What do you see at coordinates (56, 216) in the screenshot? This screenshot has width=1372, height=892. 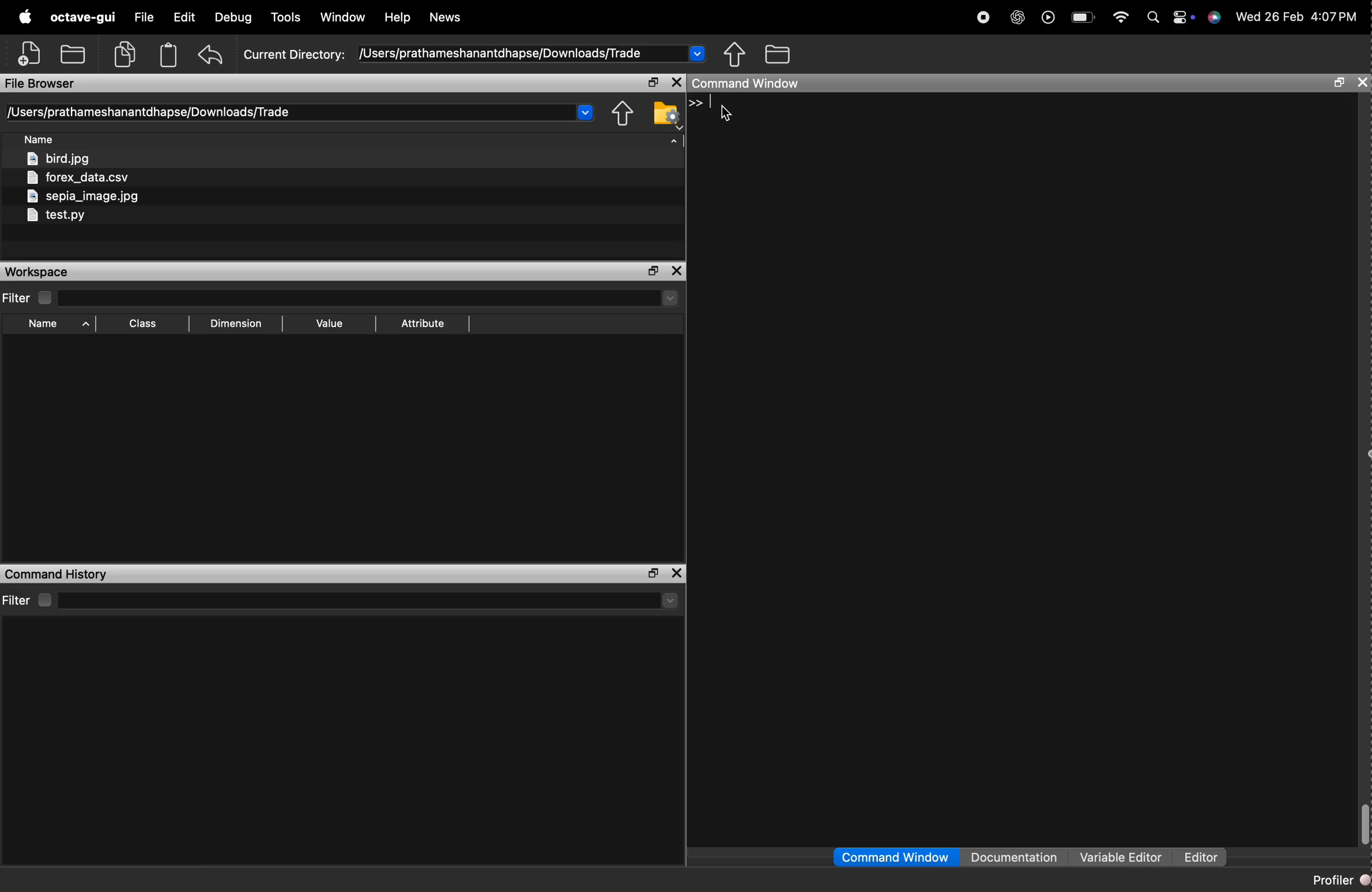 I see ` test.py` at bounding box center [56, 216].